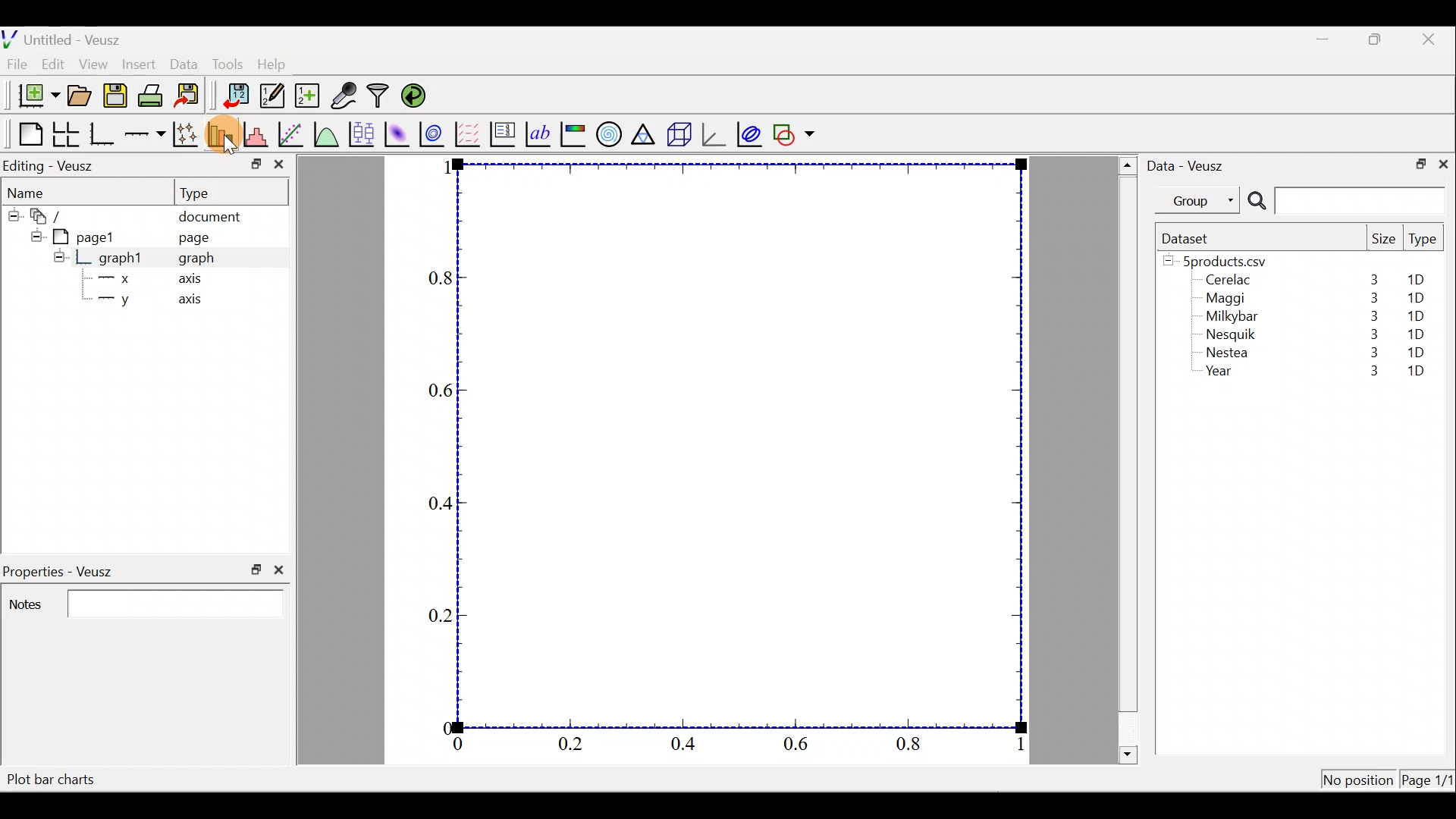 This screenshot has width=1456, height=819. What do you see at coordinates (570, 743) in the screenshot?
I see `0.2` at bounding box center [570, 743].